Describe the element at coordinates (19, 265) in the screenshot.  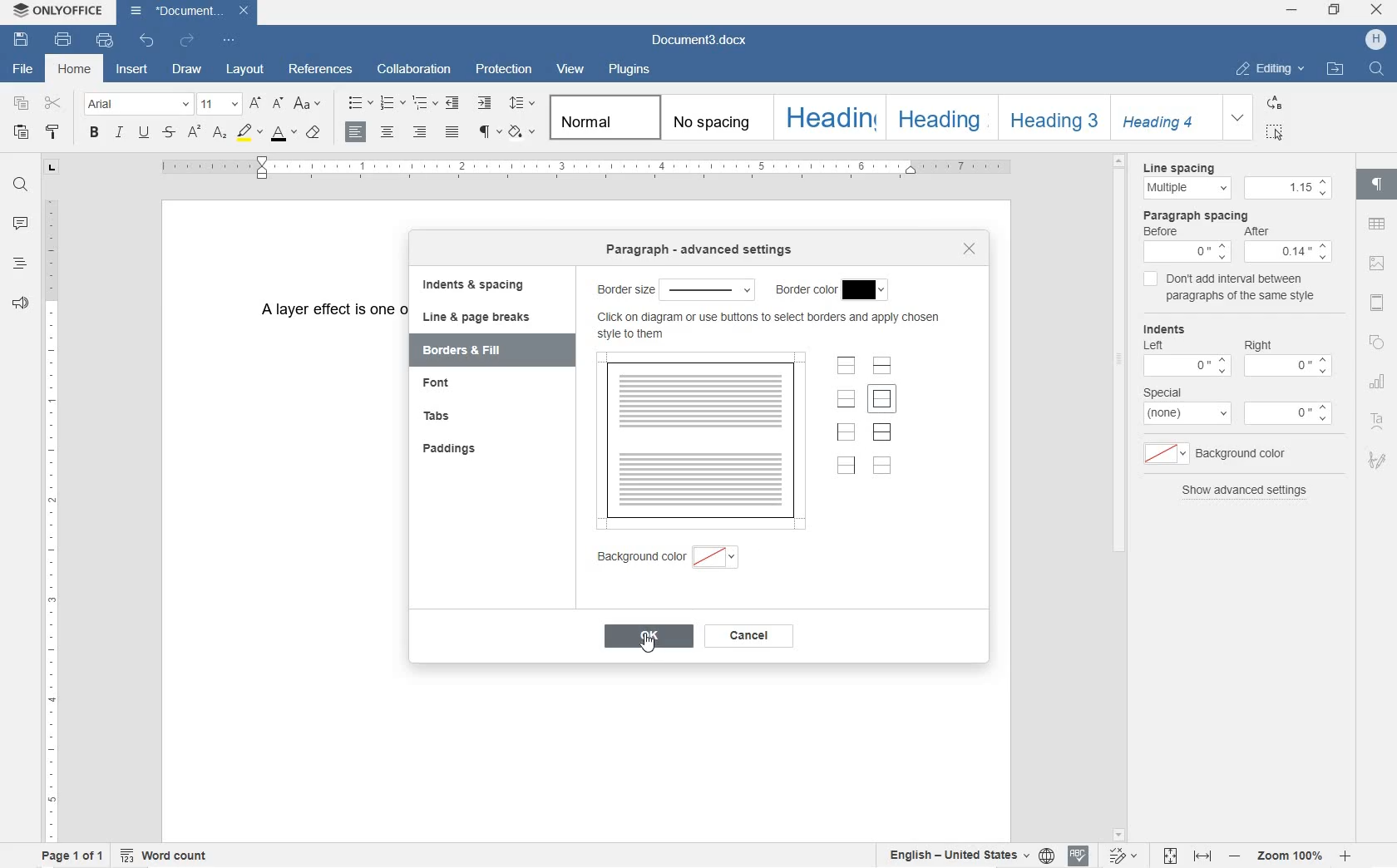
I see `HEADINGS` at that location.